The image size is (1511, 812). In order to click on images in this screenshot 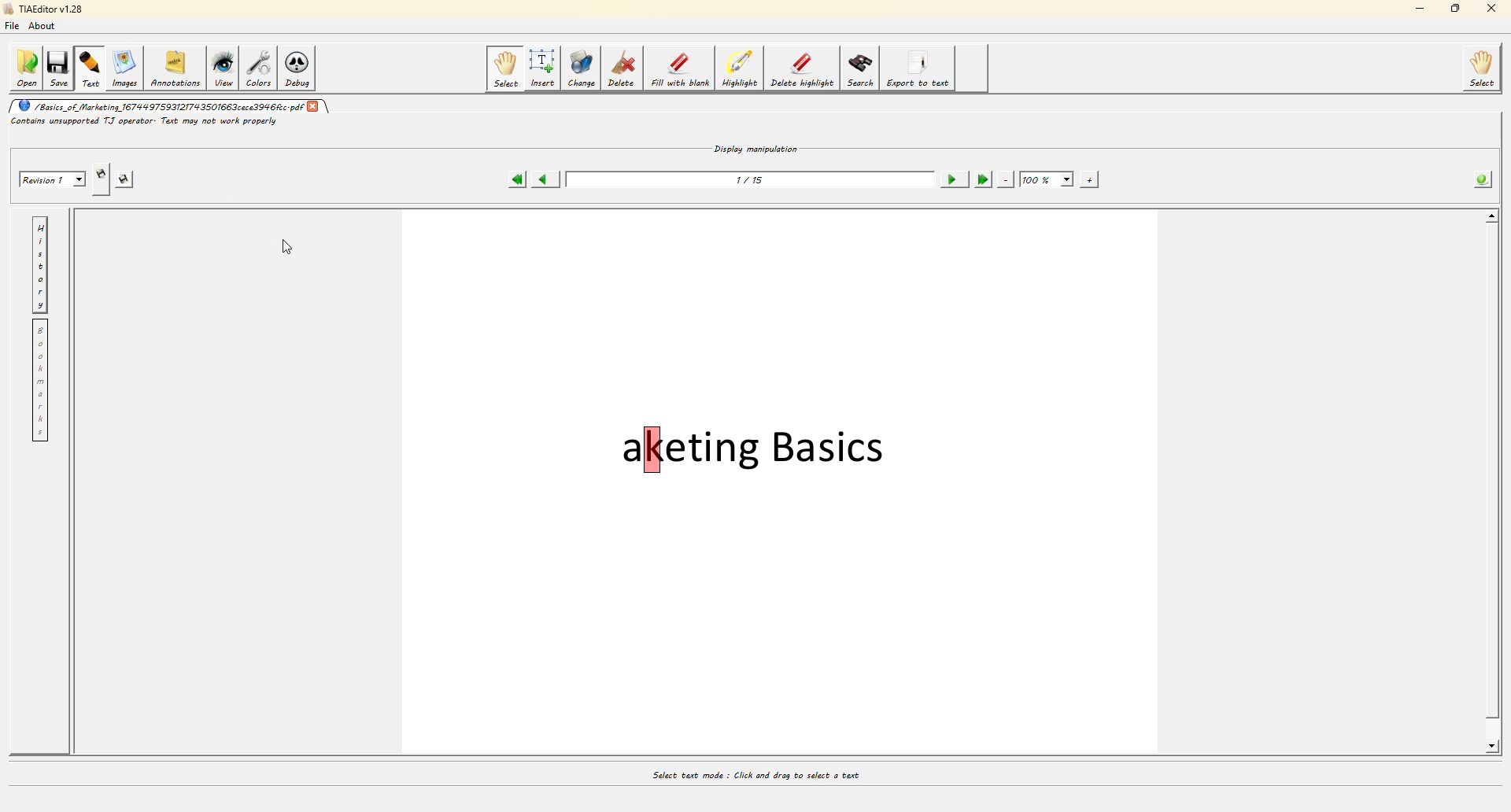, I will do `click(124, 68)`.